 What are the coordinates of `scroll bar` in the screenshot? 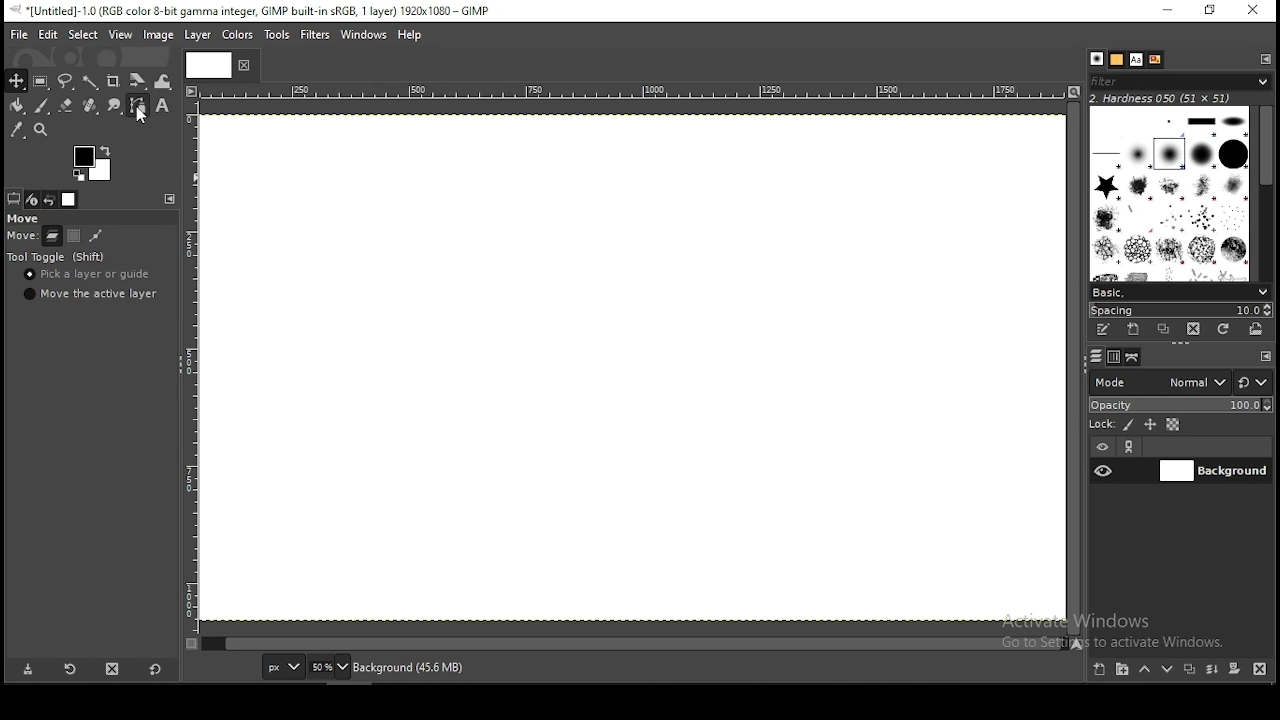 It's located at (1263, 194).